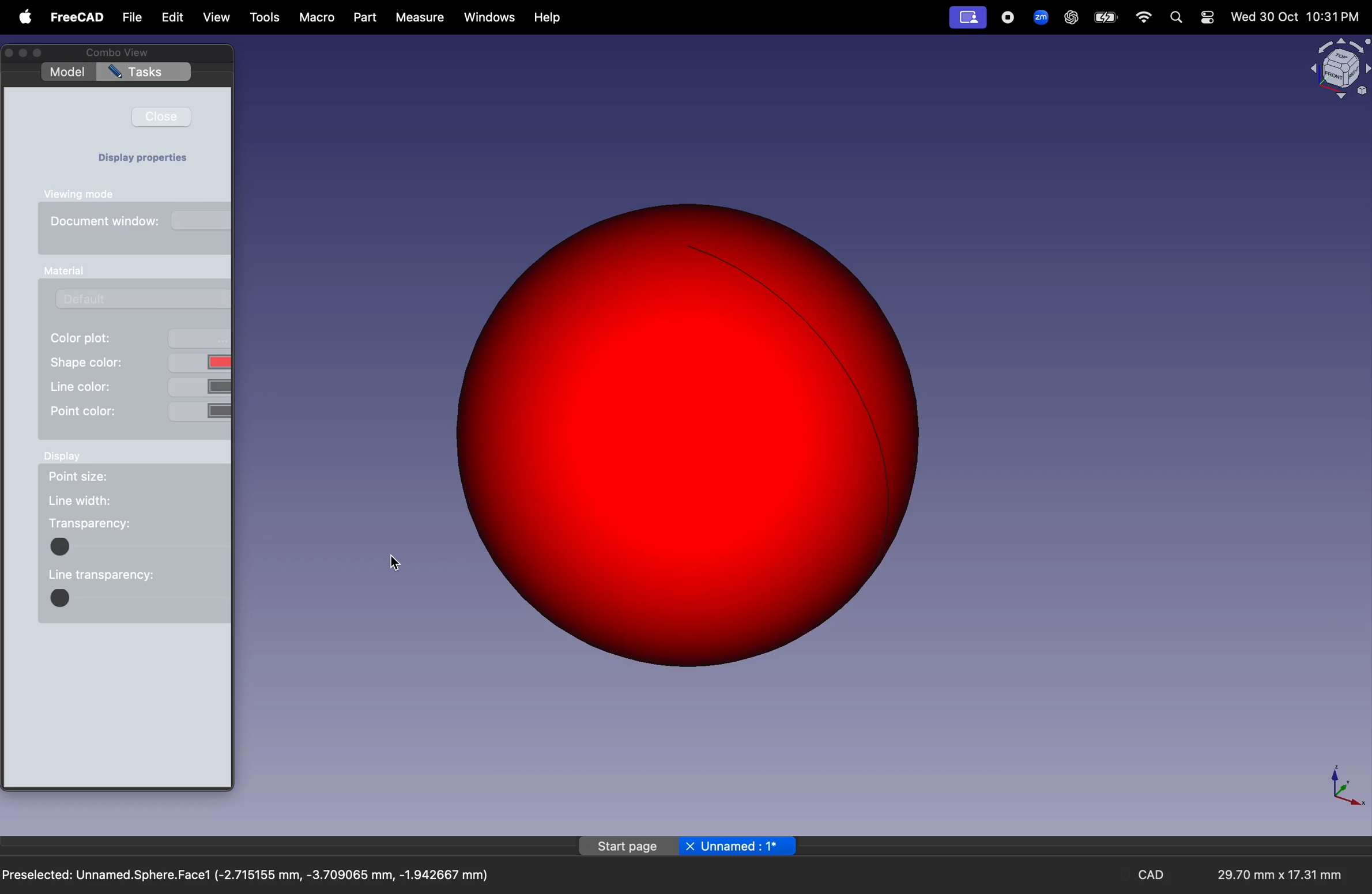  What do you see at coordinates (1294, 17) in the screenshot?
I see `Wed 30 Oct 10:31 PM` at bounding box center [1294, 17].